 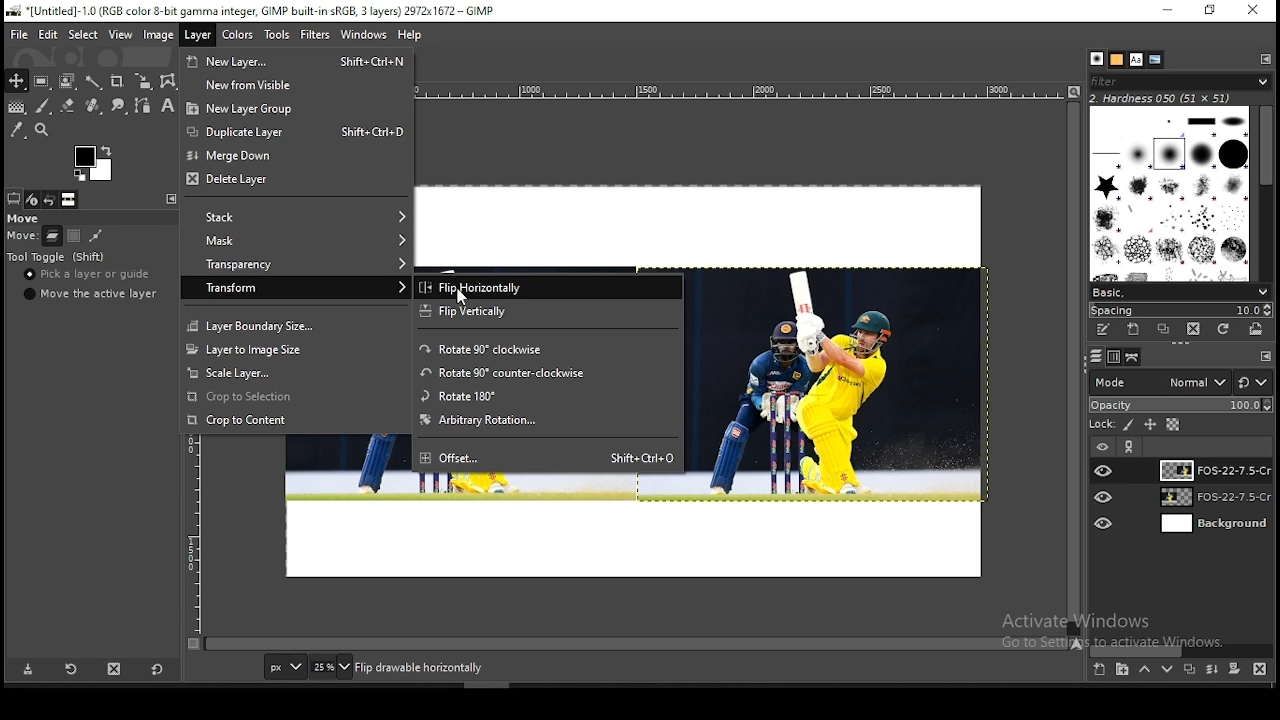 I want to click on lock alpha channel, so click(x=1172, y=425).